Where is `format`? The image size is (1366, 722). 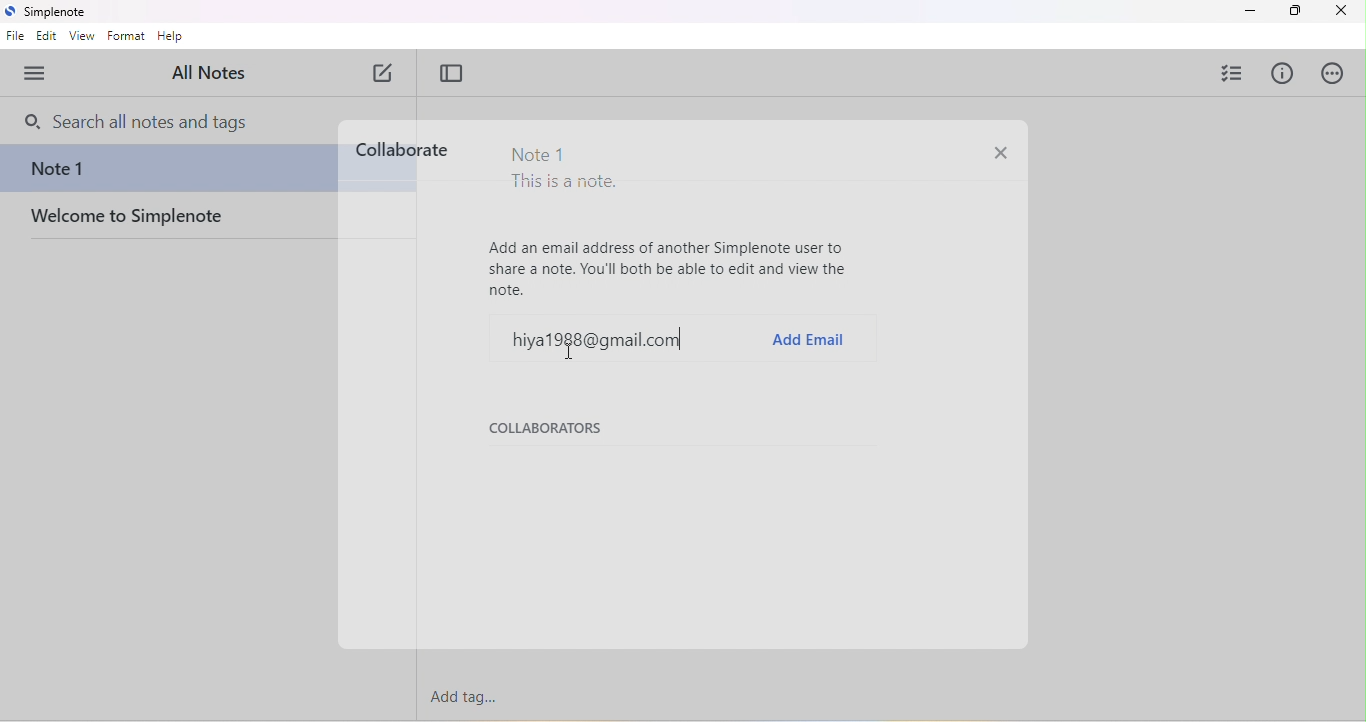
format is located at coordinates (126, 36).